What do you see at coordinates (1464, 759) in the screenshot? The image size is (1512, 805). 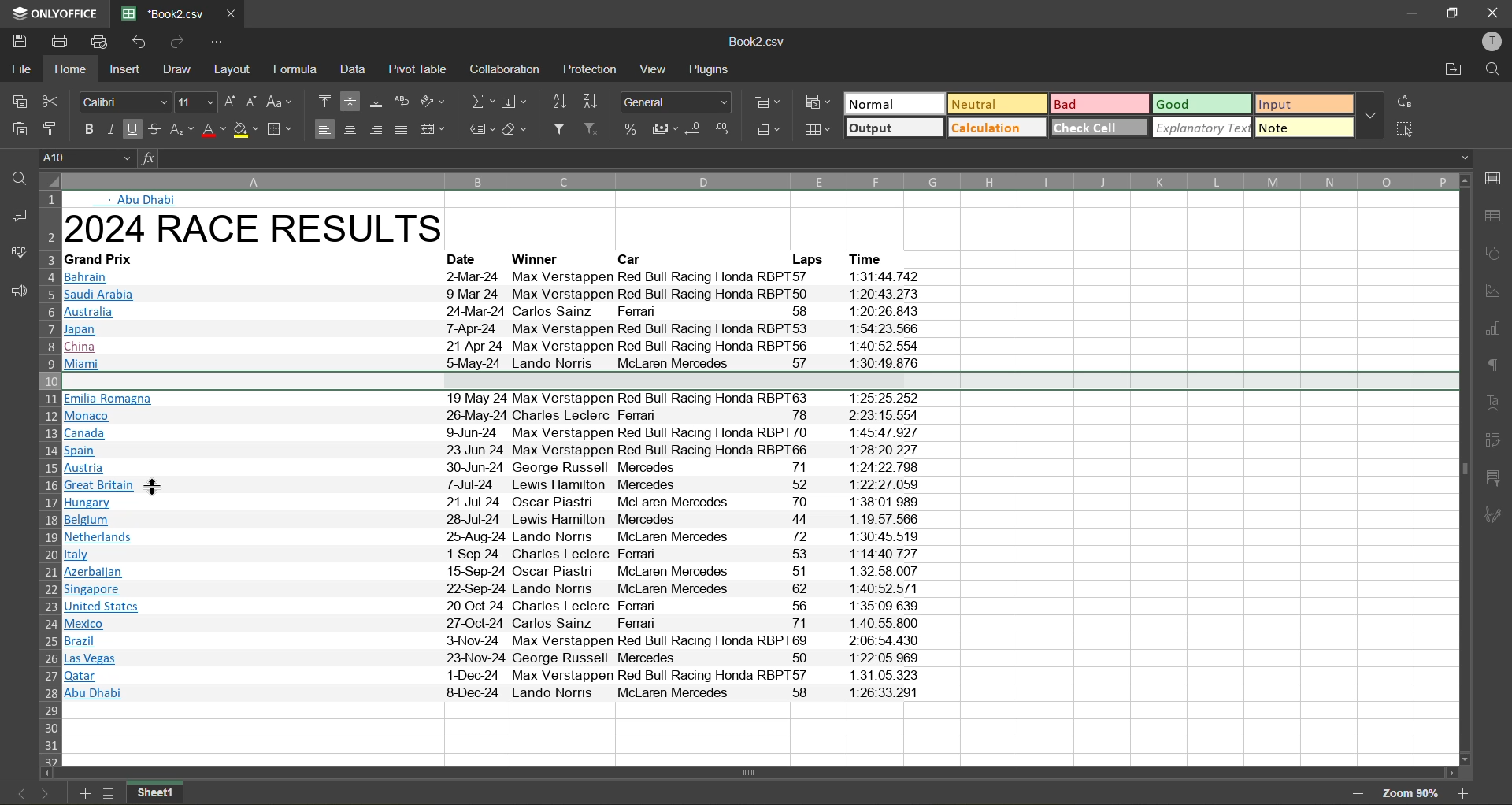 I see `move down` at bounding box center [1464, 759].